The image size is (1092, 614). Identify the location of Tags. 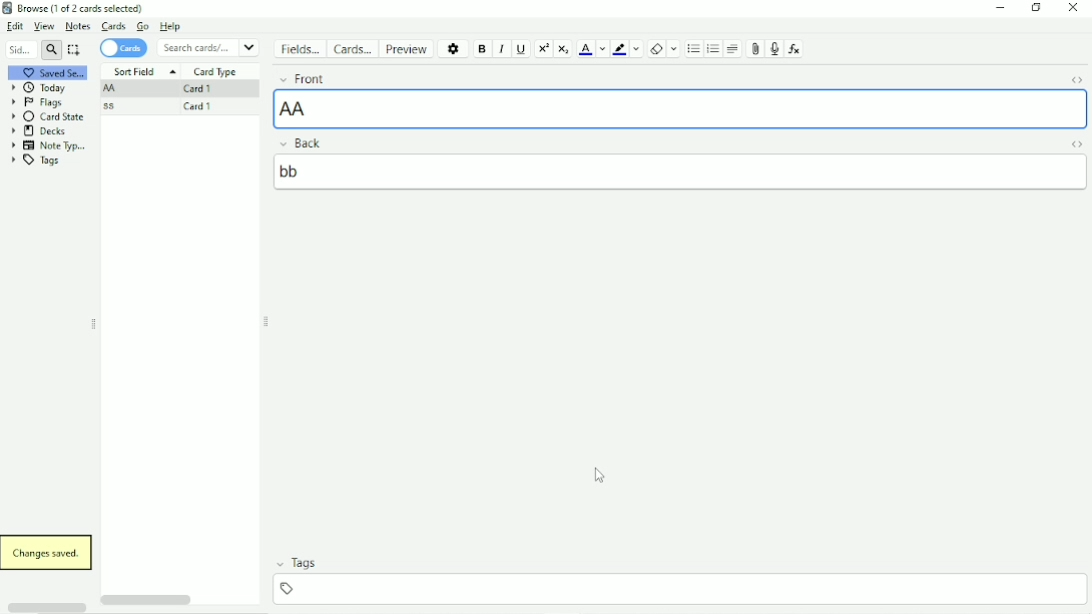
(36, 161).